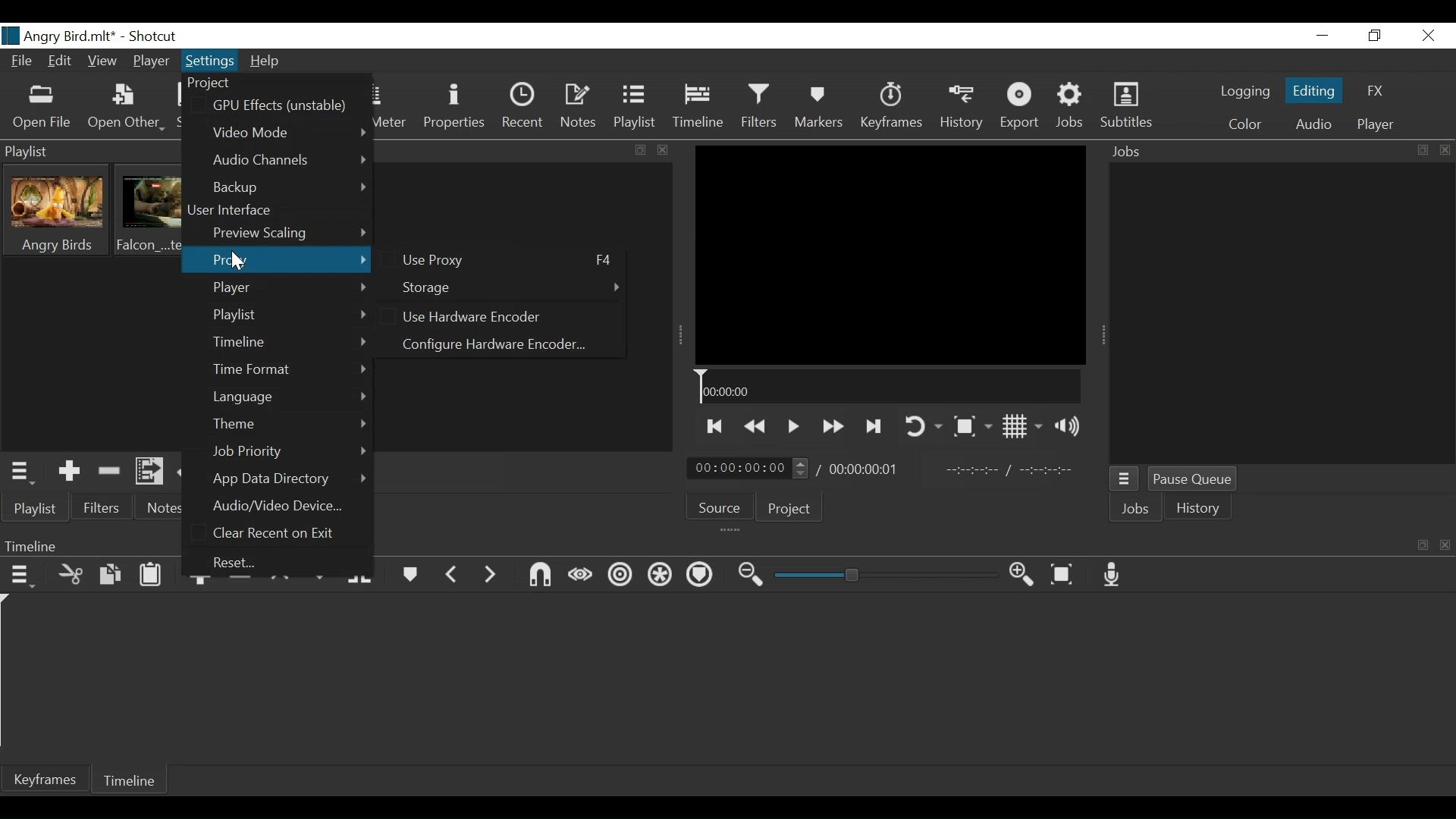 The image size is (1456, 819). Describe the element at coordinates (167, 507) in the screenshot. I see `Notes` at that location.